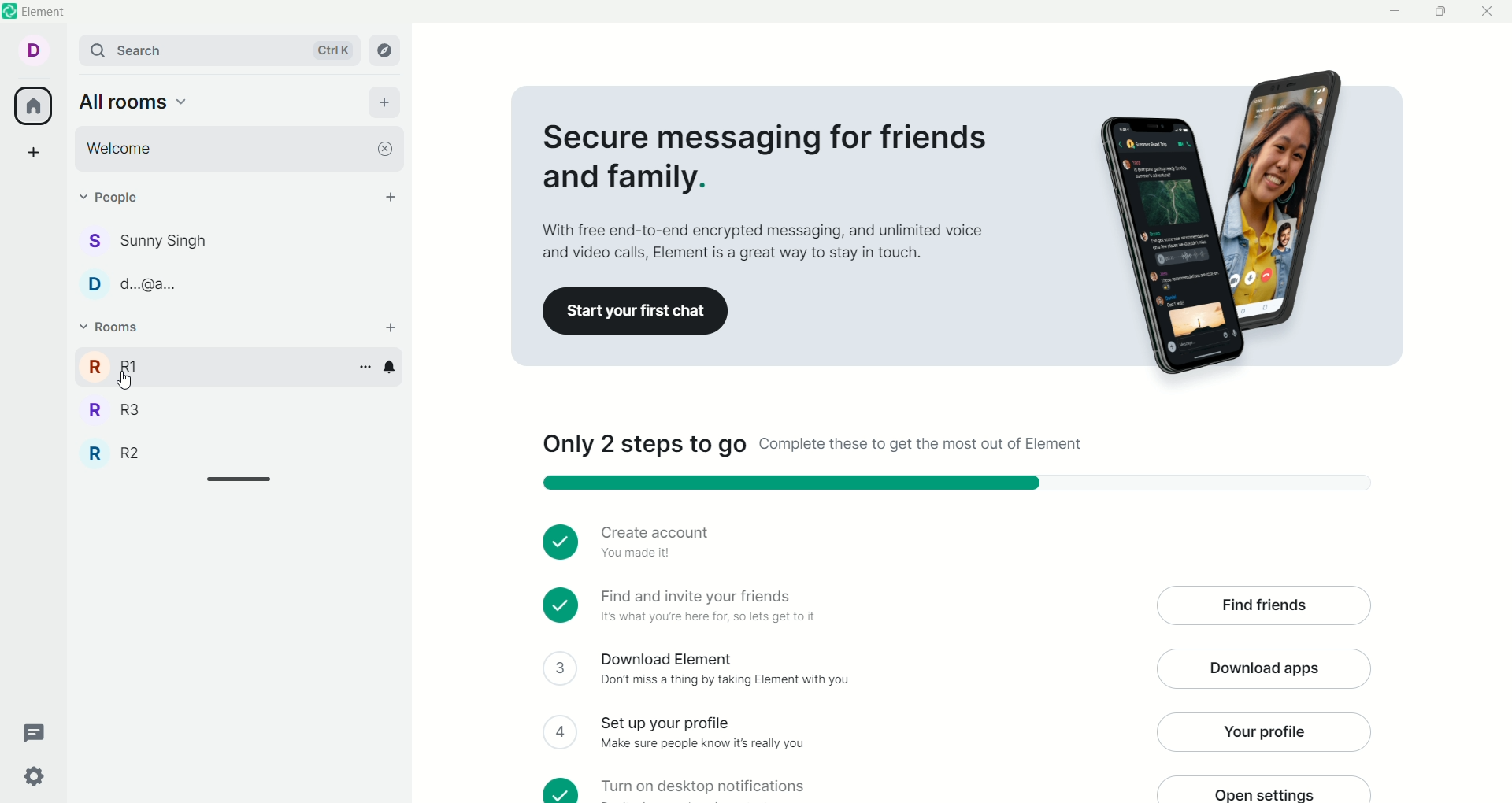  I want to click on create a space, so click(34, 152).